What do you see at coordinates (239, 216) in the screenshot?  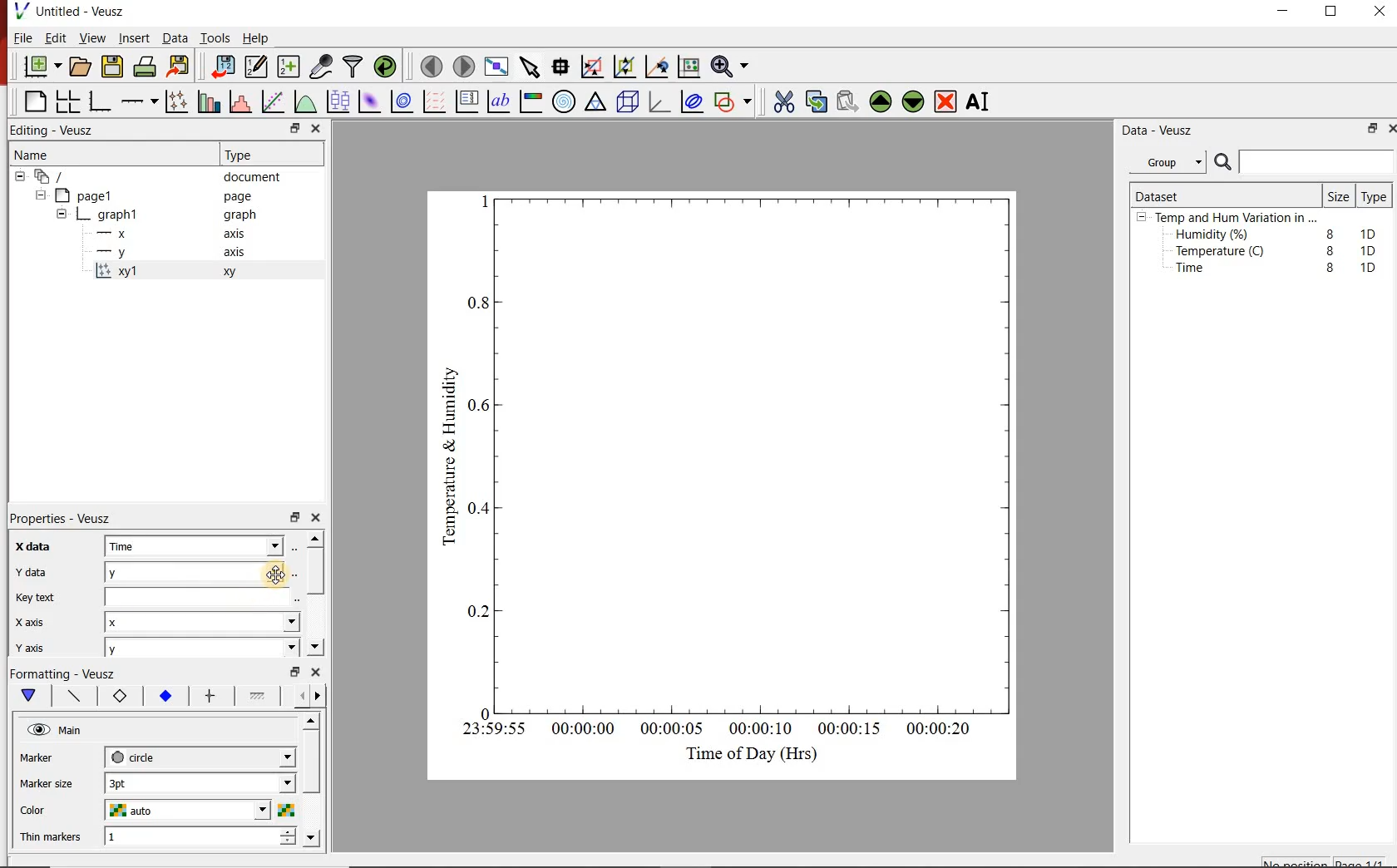 I see `graph` at bounding box center [239, 216].